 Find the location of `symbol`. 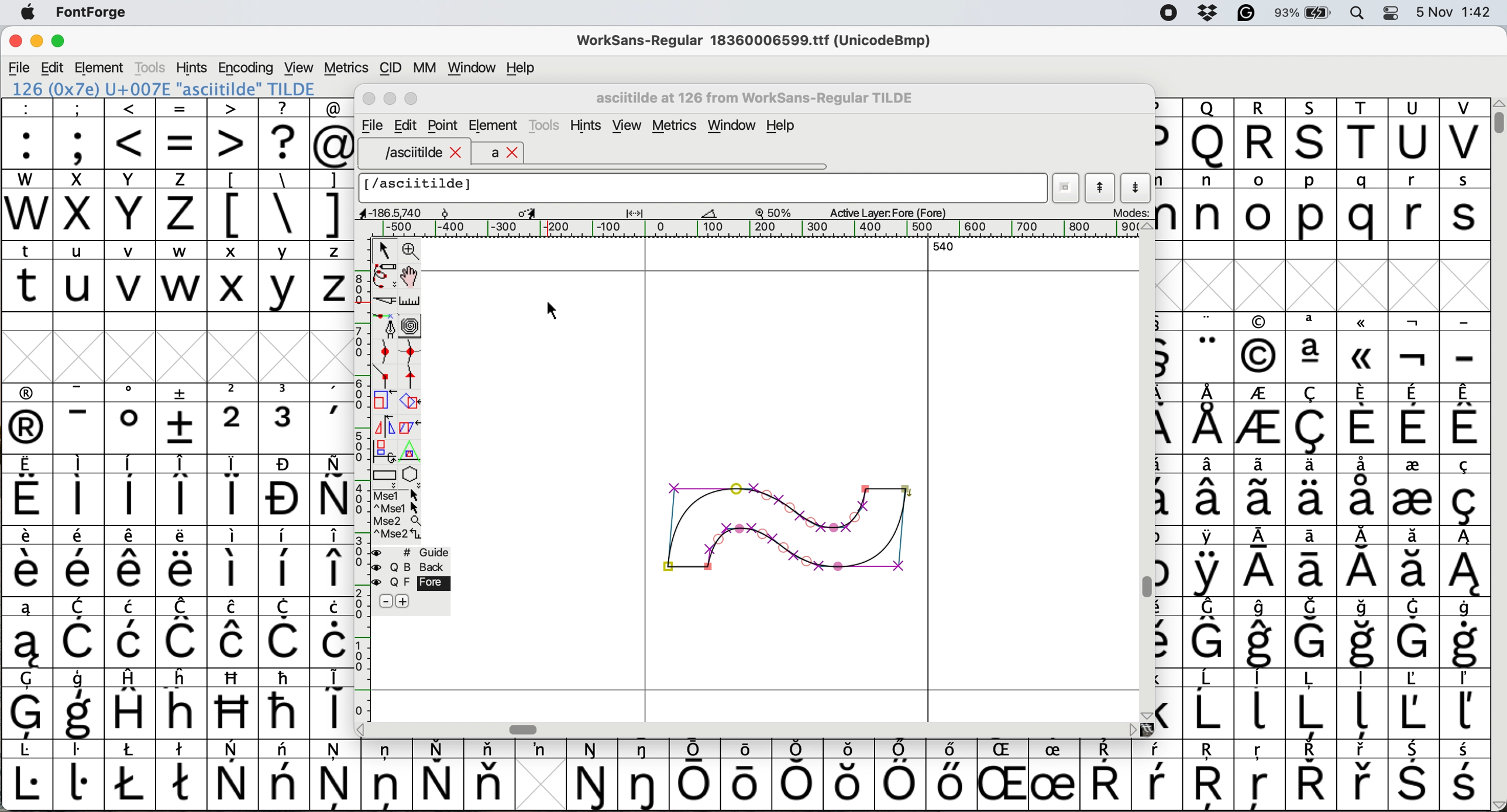

symbol is located at coordinates (593, 776).